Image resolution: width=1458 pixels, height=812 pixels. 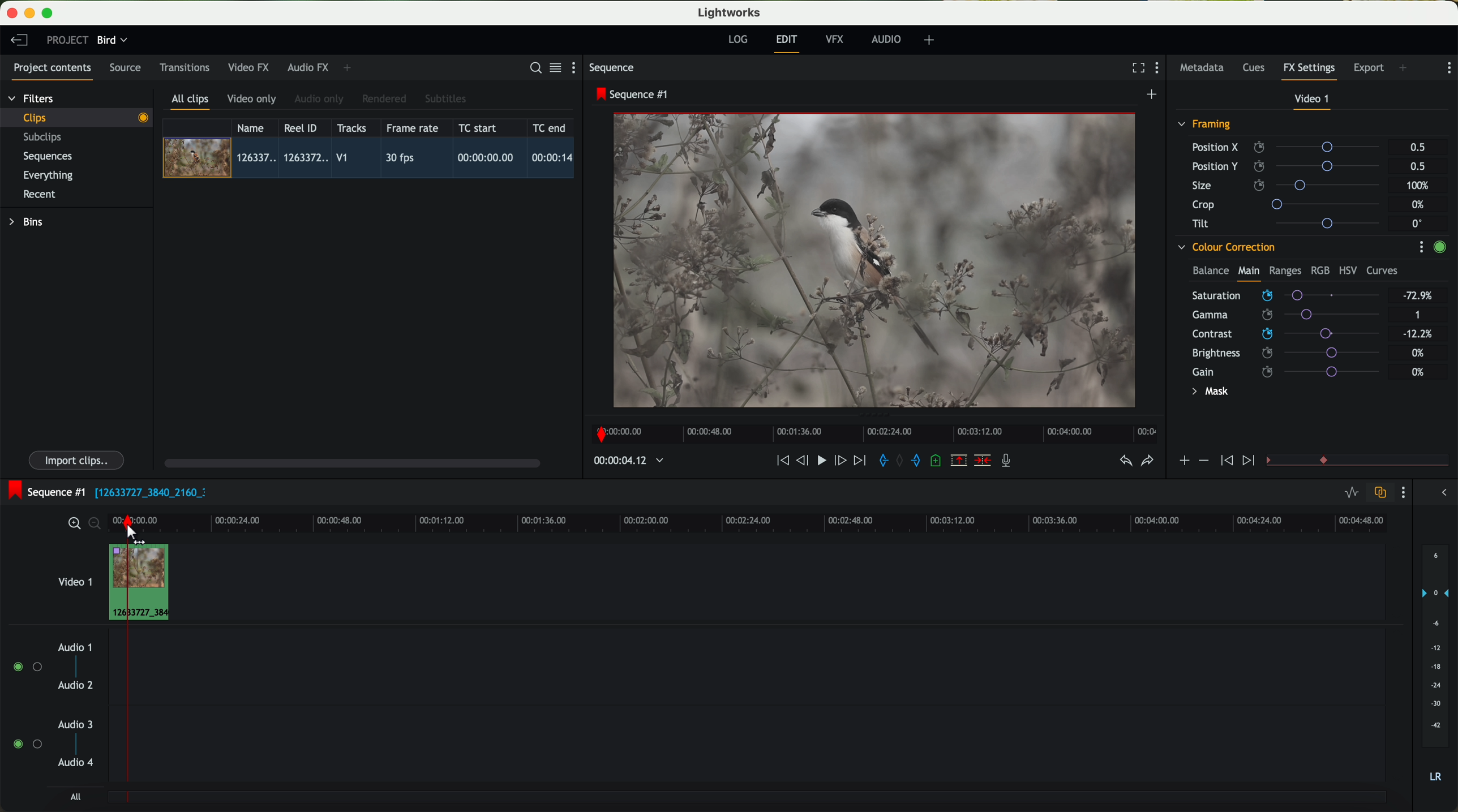 I want to click on timeline, so click(x=784, y=522).